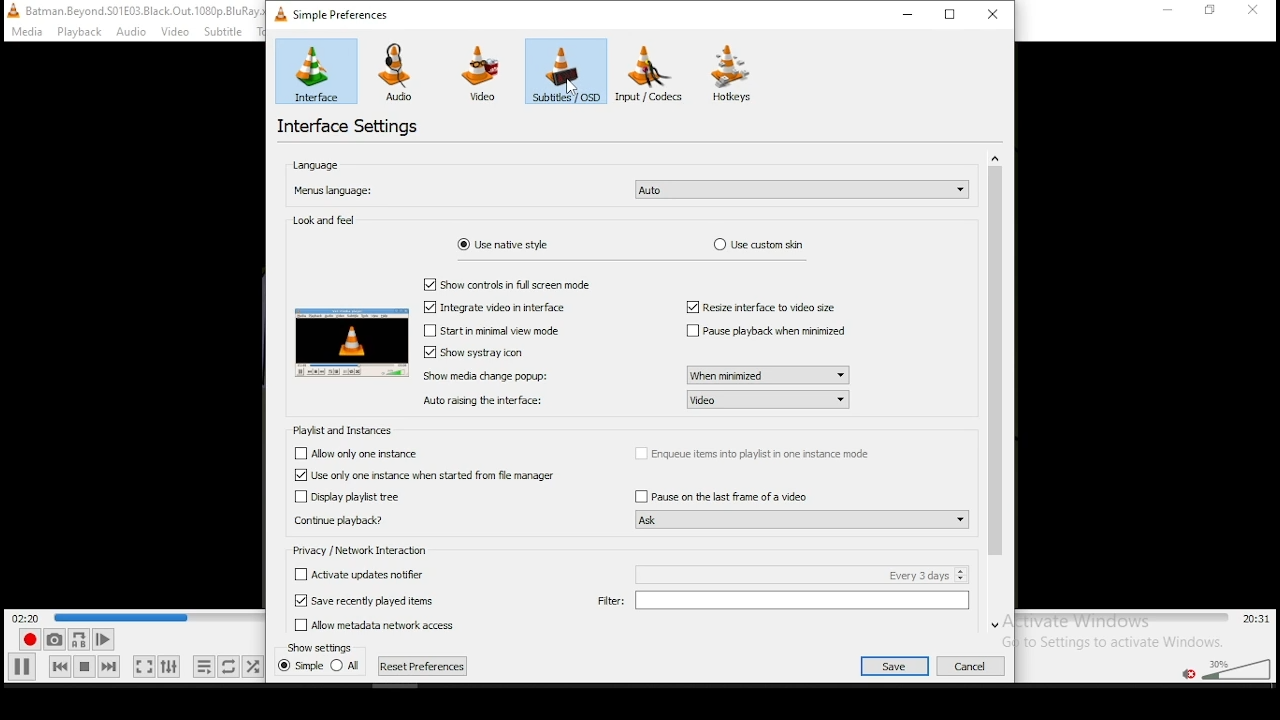 The width and height of the screenshot is (1280, 720). I want to click on checkbox: start minimal view mode, so click(494, 330).